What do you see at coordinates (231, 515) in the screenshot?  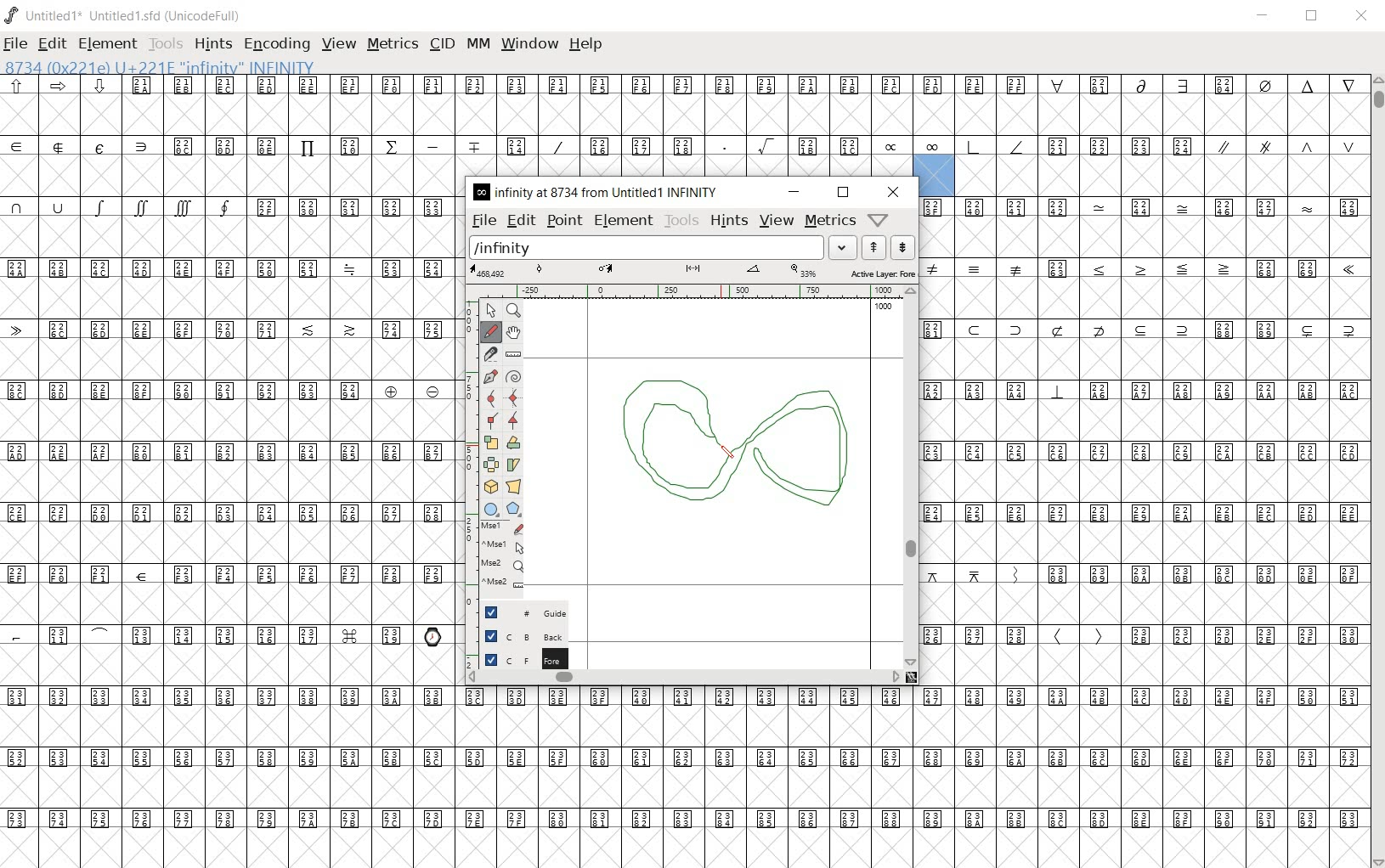 I see `Unicode code points` at bounding box center [231, 515].